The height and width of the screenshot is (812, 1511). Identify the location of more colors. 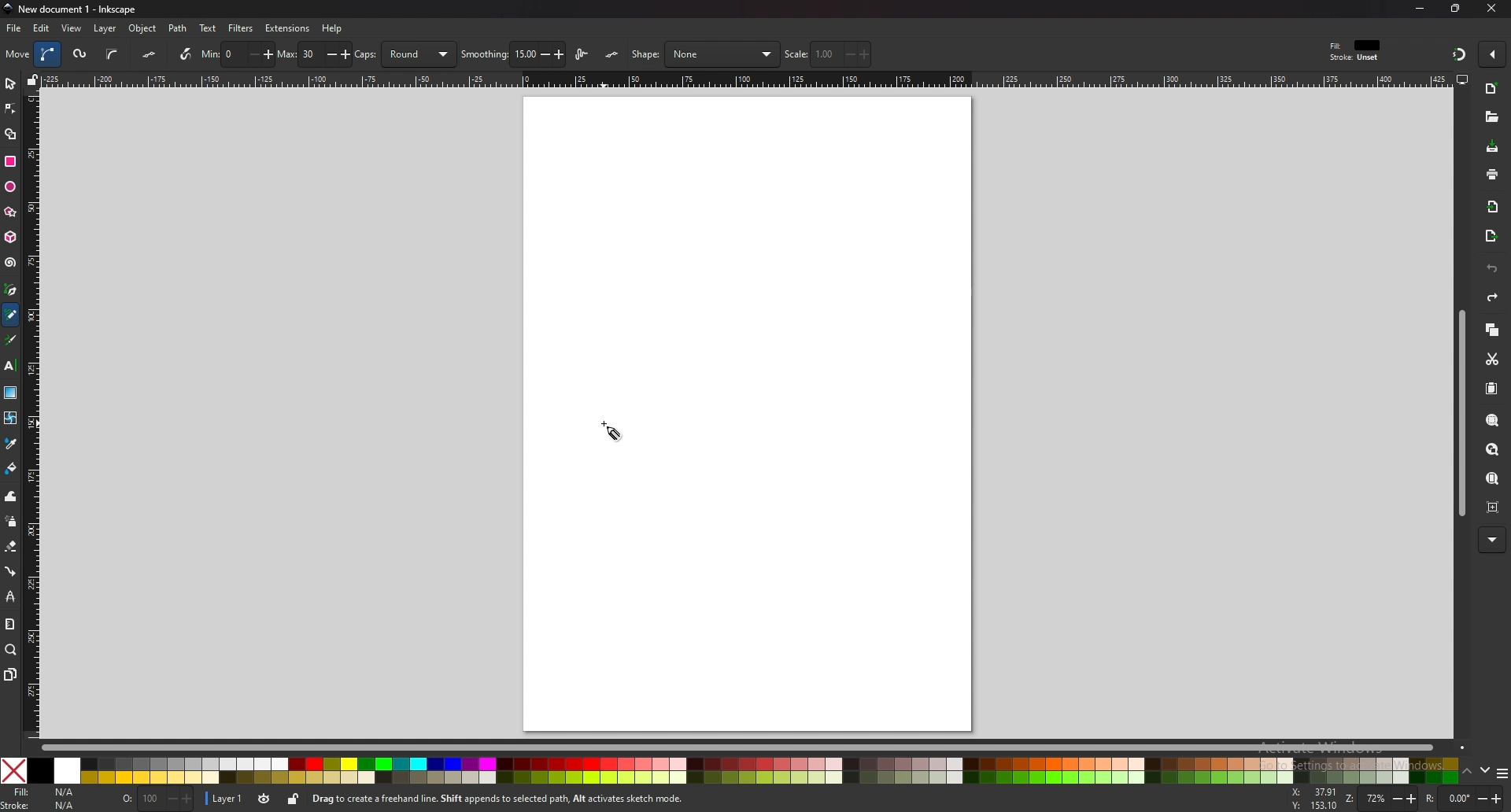
(1502, 773).